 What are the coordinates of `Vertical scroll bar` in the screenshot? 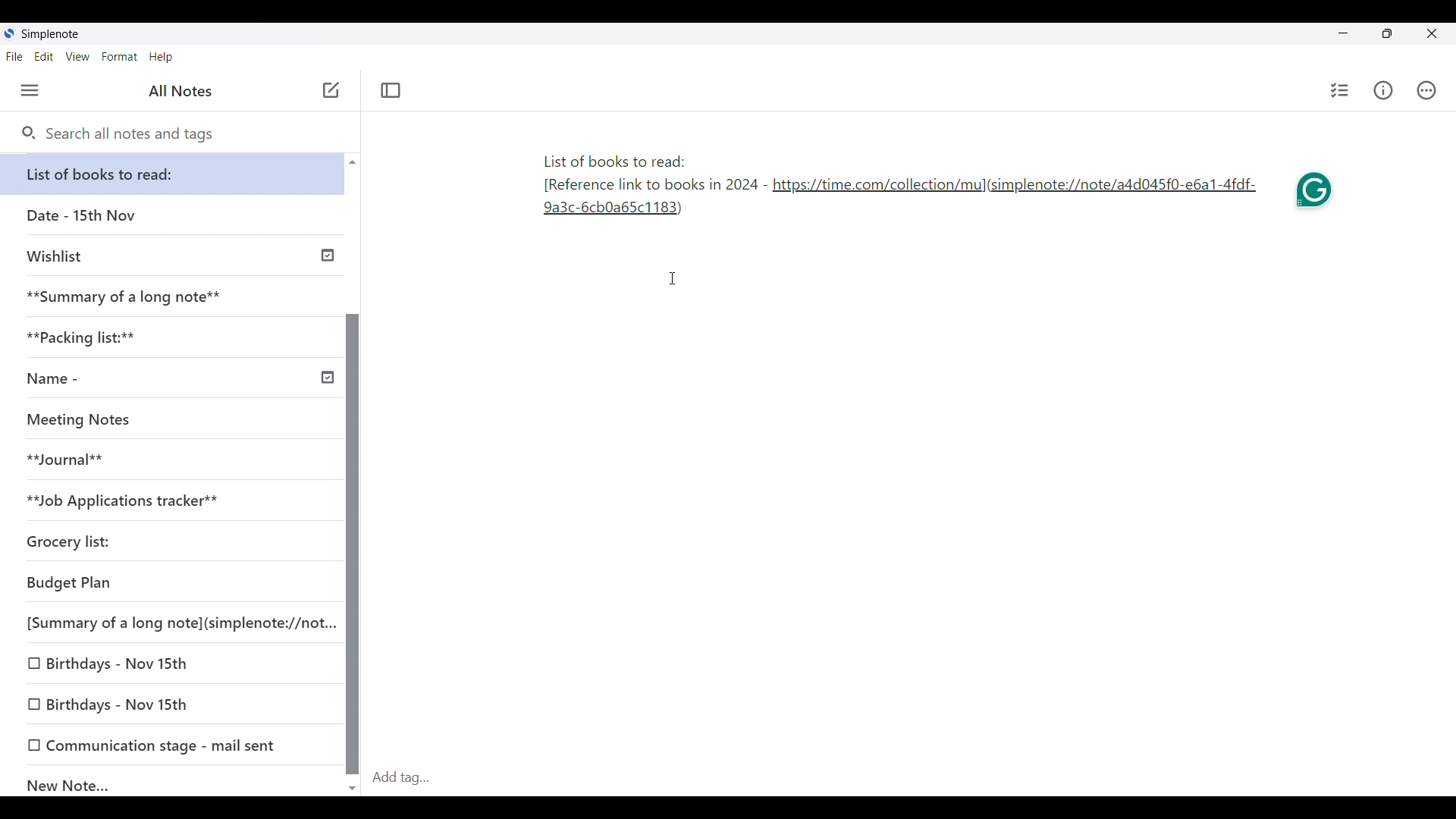 It's located at (352, 473).